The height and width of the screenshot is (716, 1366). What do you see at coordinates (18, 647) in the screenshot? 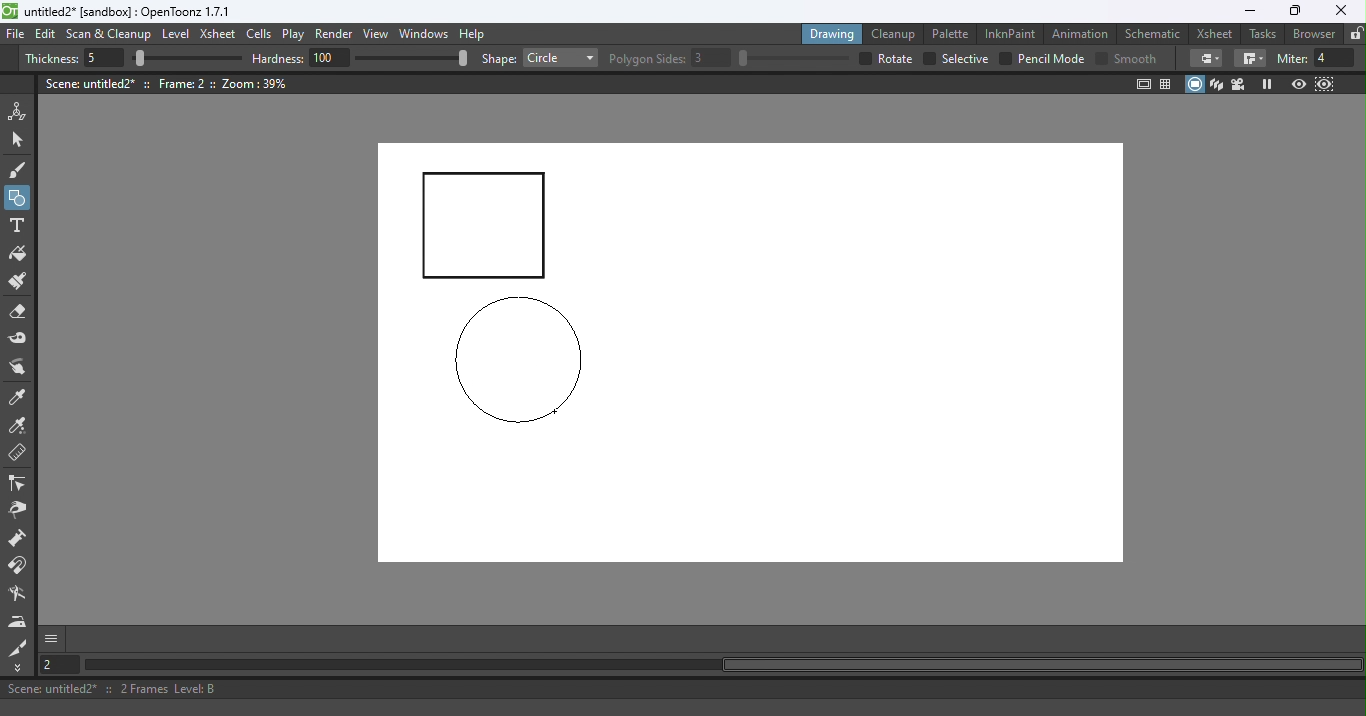
I see `Cutter tool` at bounding box center [18, 647].